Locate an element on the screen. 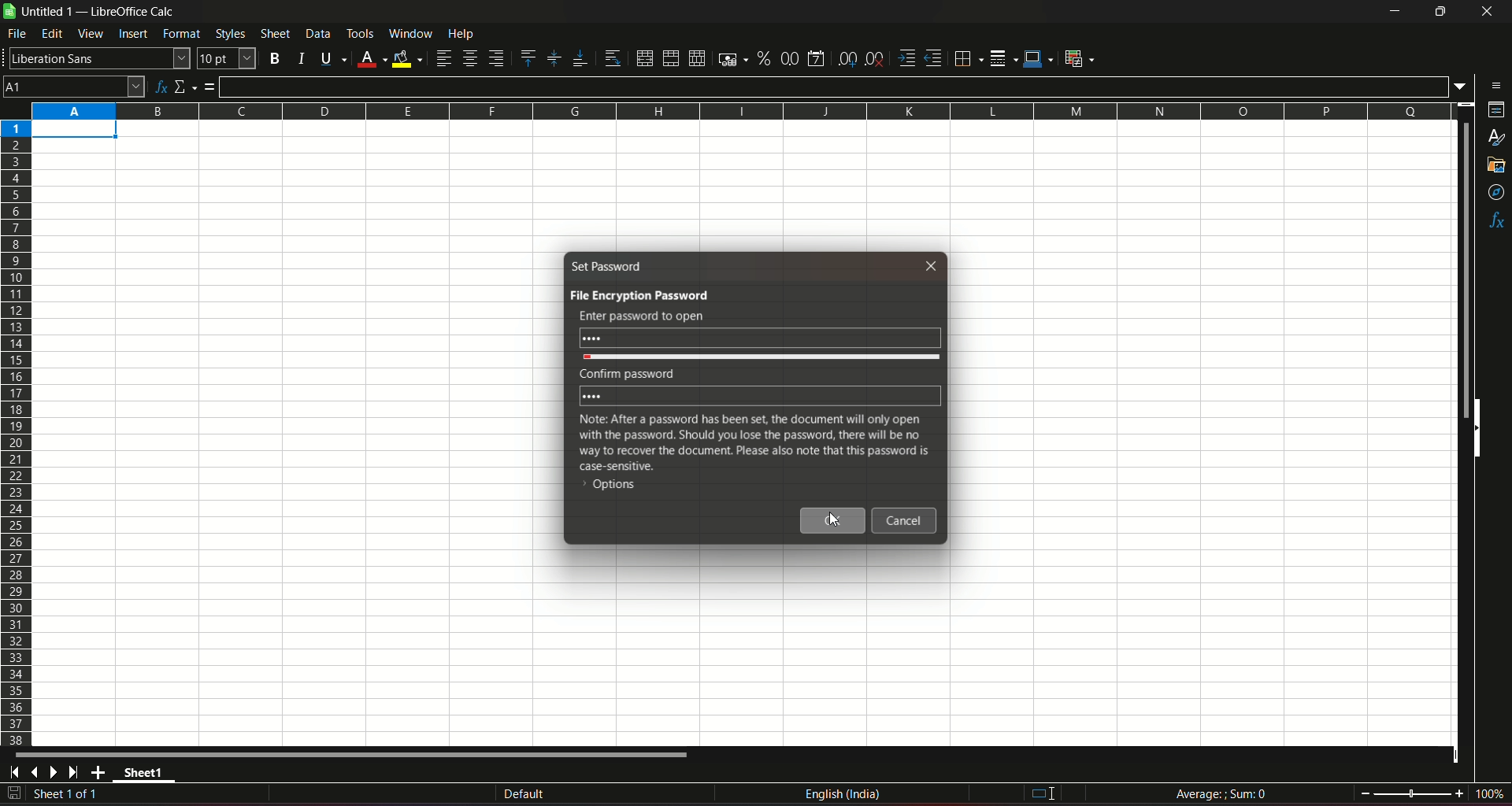 Image resolution: width=1512 pixels, height=806 pixels. navigator is located at coordinates (1495, 192).